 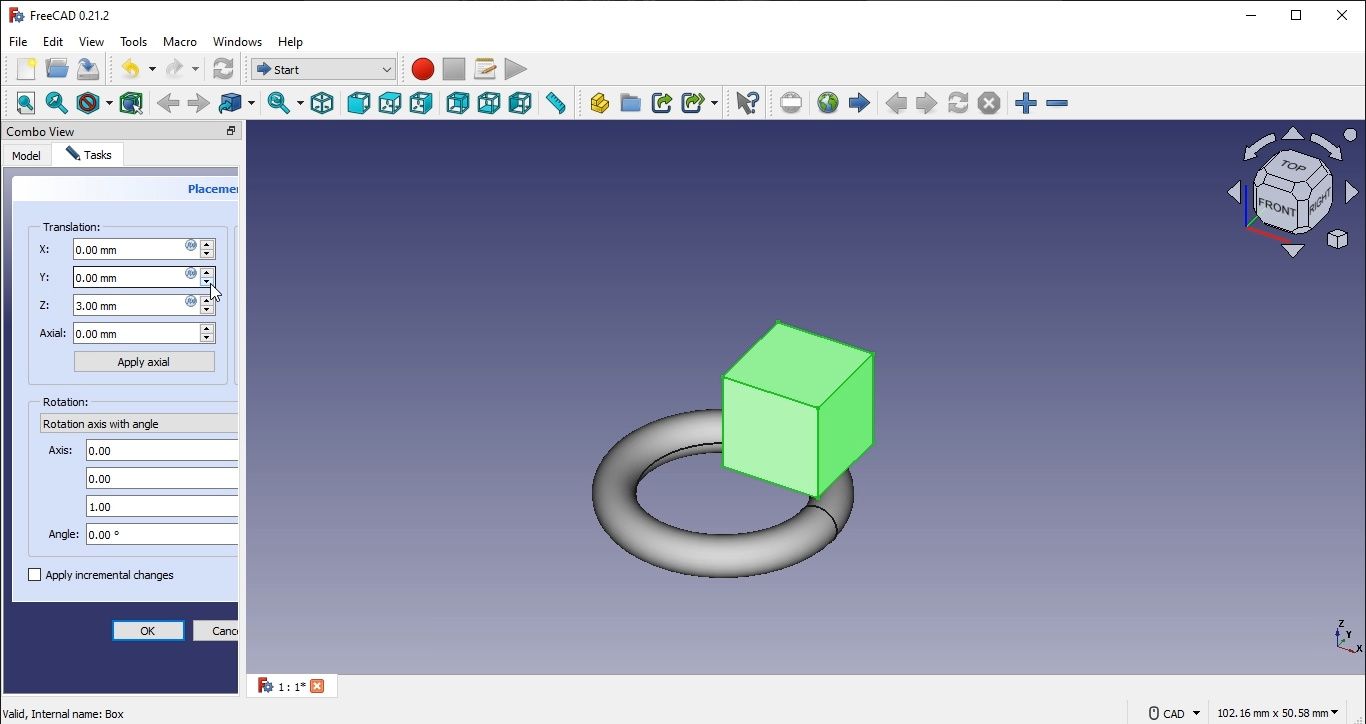 I want to click on previouspage, so click(x=896, y=103).